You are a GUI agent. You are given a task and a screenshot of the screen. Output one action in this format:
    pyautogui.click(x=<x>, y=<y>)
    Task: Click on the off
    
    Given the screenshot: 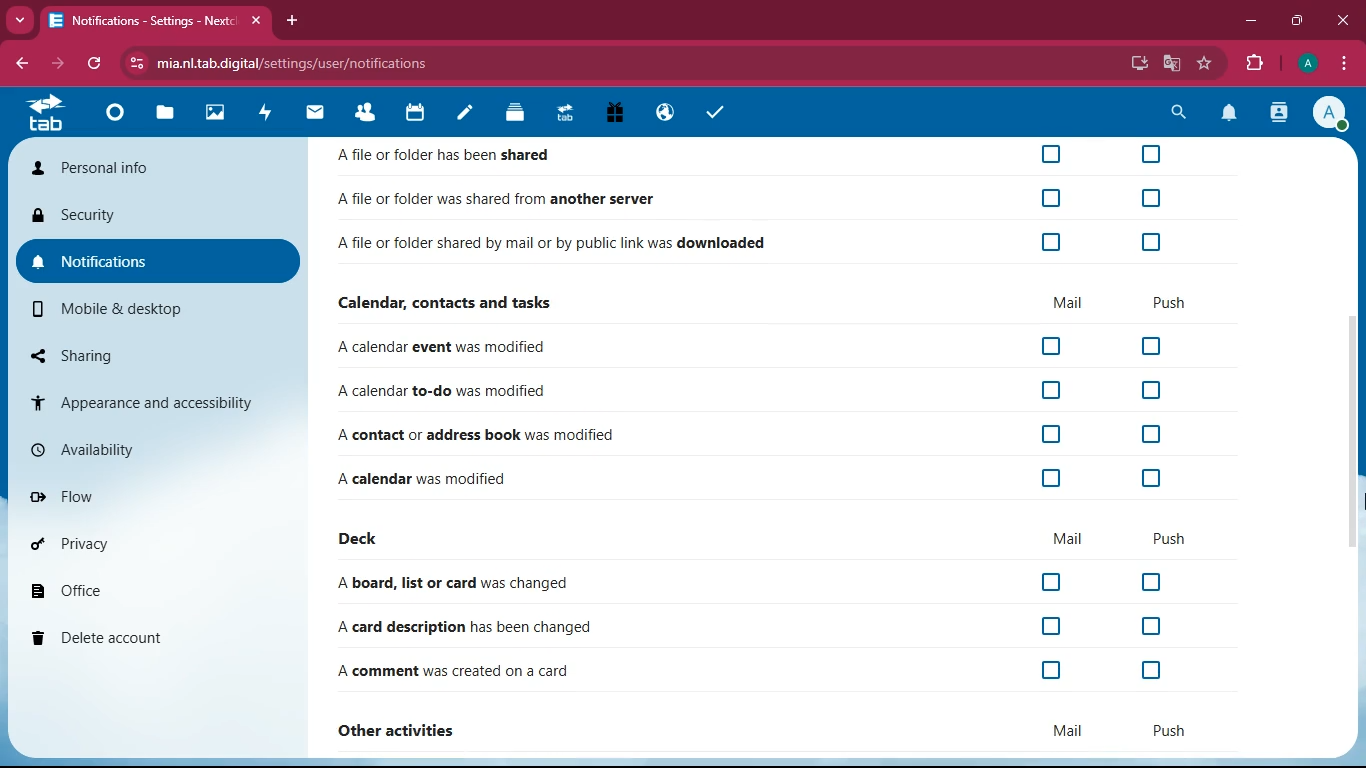 What is the action you would take?
    pyautogui.click(x=1056, y=478)
    